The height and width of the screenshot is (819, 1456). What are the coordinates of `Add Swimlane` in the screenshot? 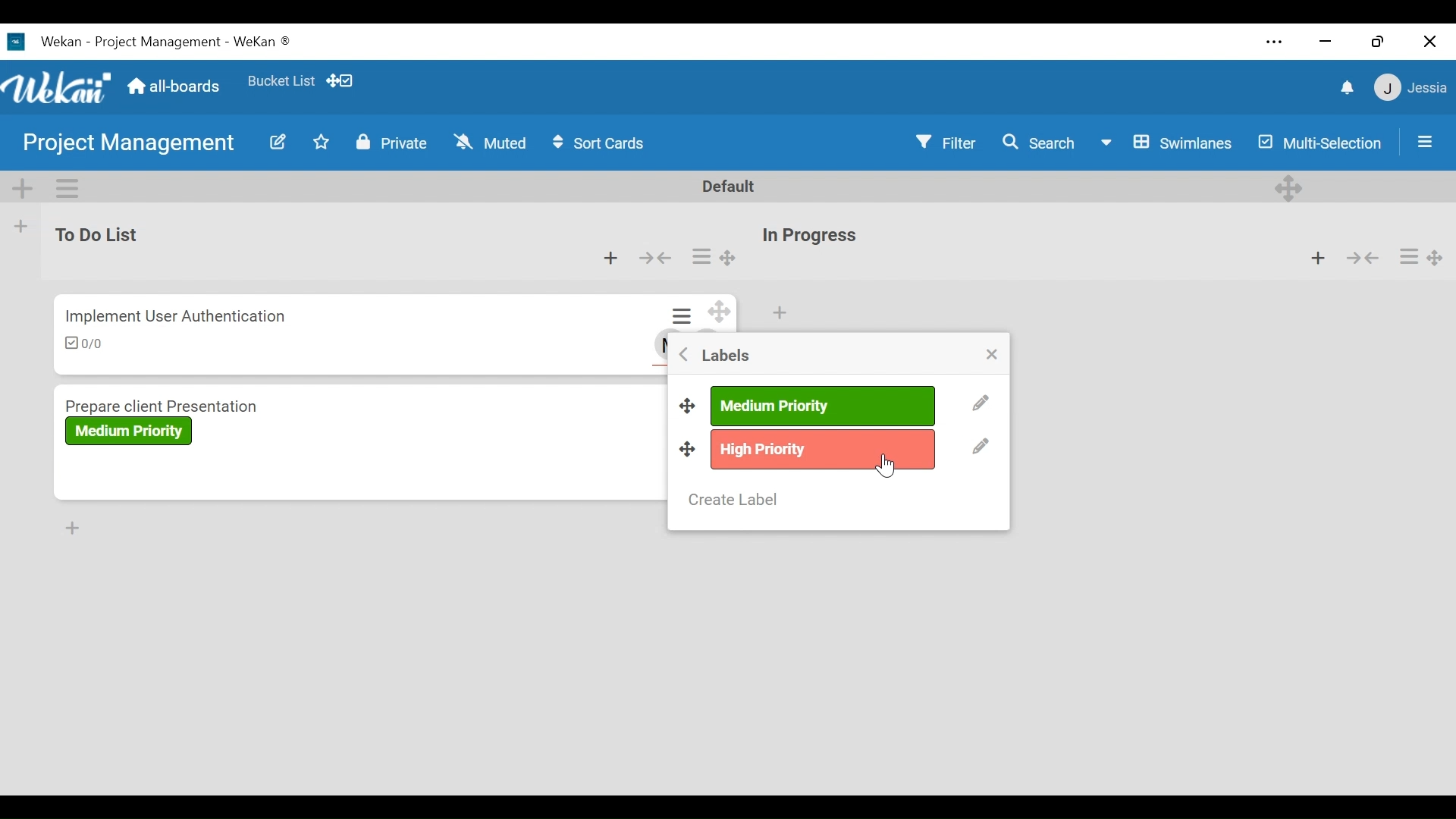 It's located at (24, 188).